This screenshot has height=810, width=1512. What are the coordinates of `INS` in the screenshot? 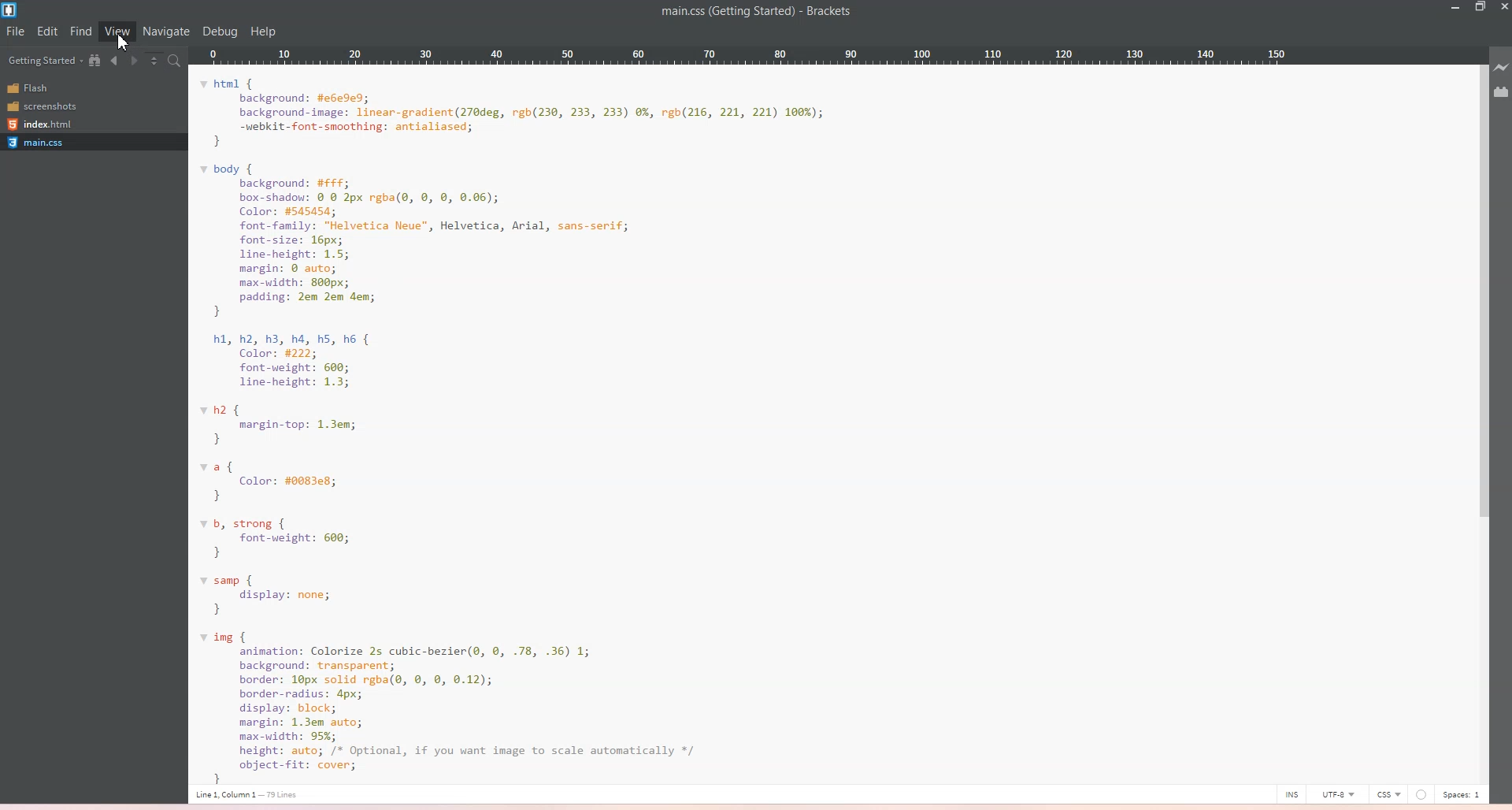 It's located at (1291, 793).